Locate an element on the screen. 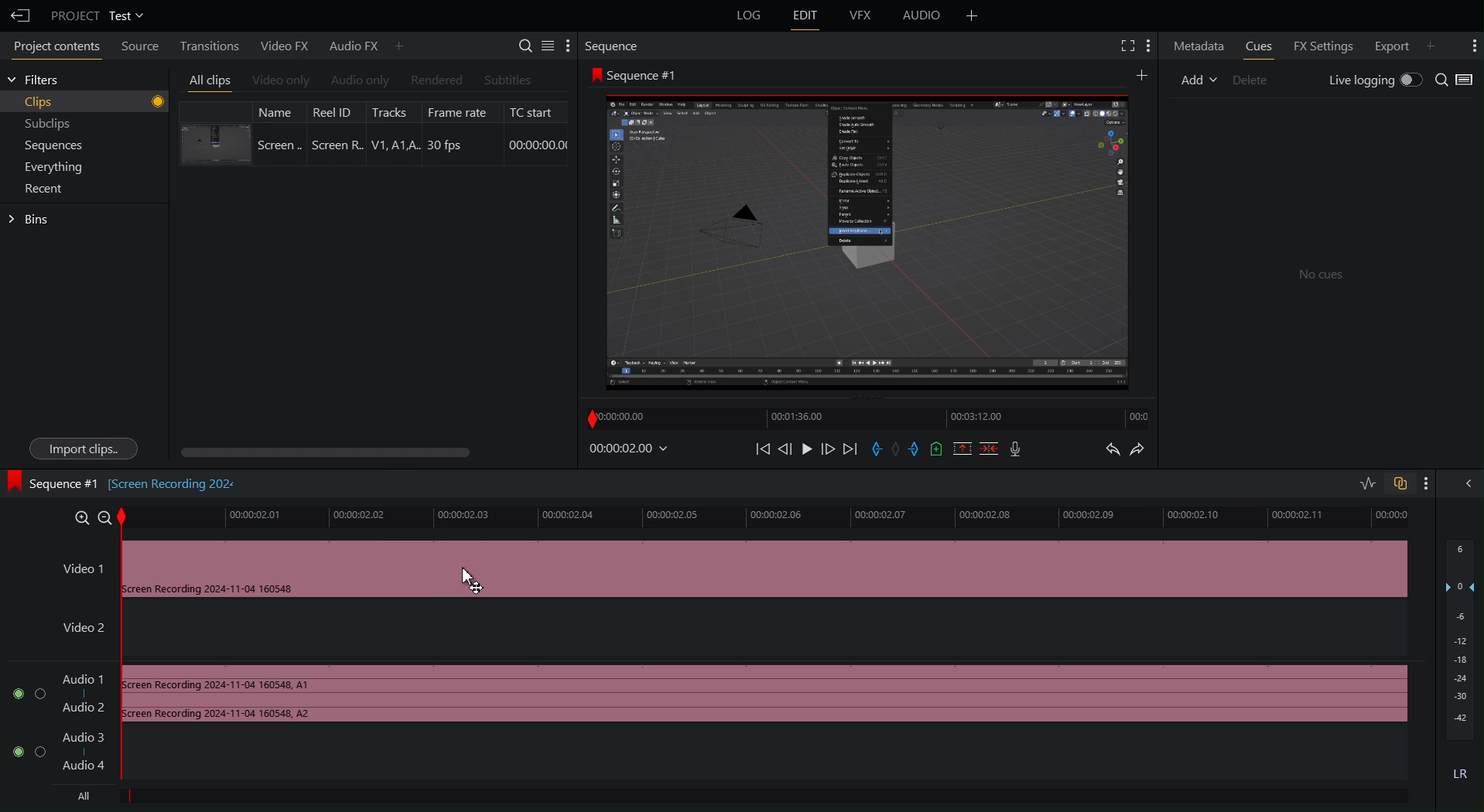  Everything is located at coordinates (45, 167).